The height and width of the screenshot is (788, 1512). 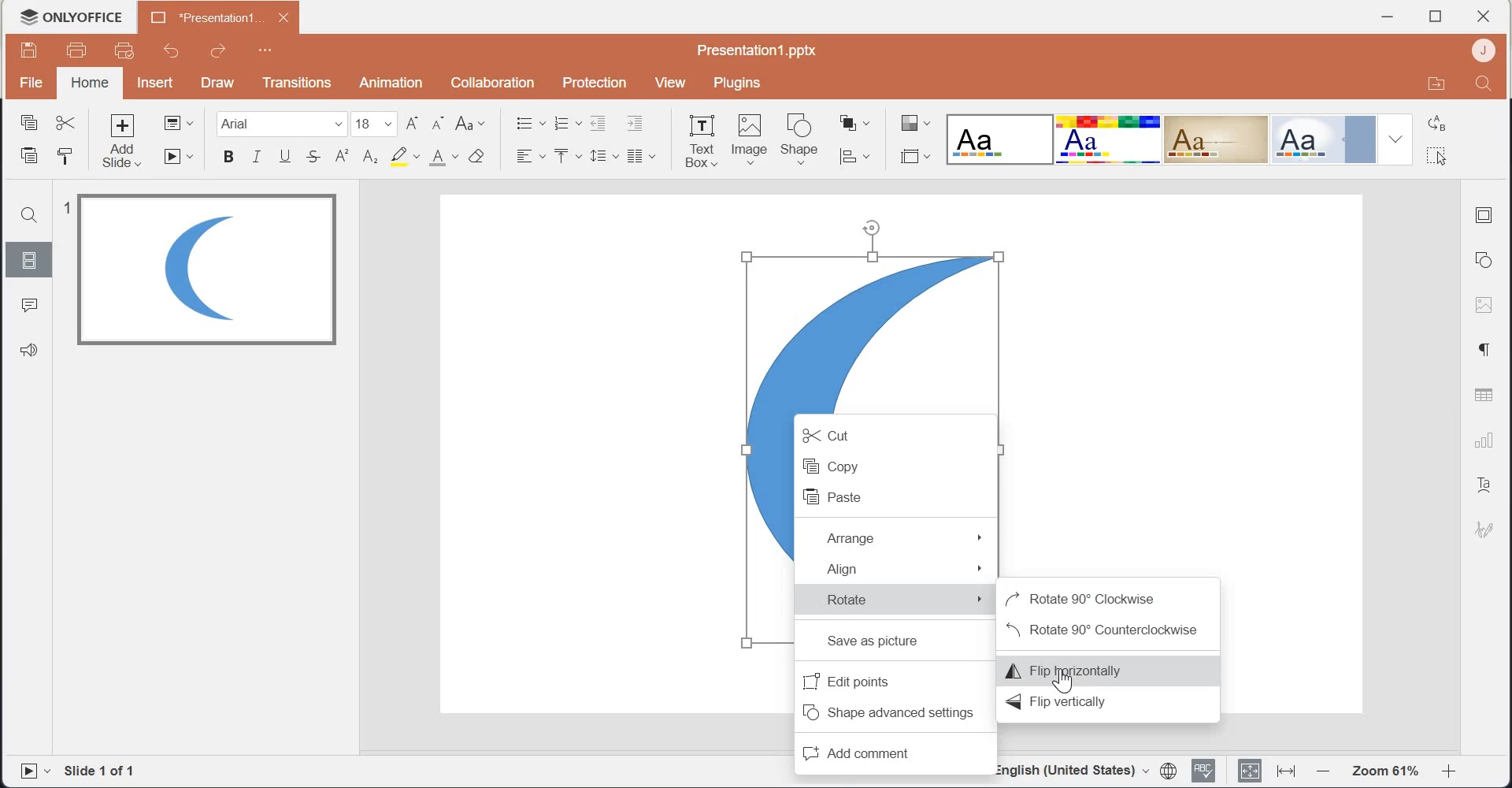 I want to click on Flip vertically, so click(x=1104, y=701).